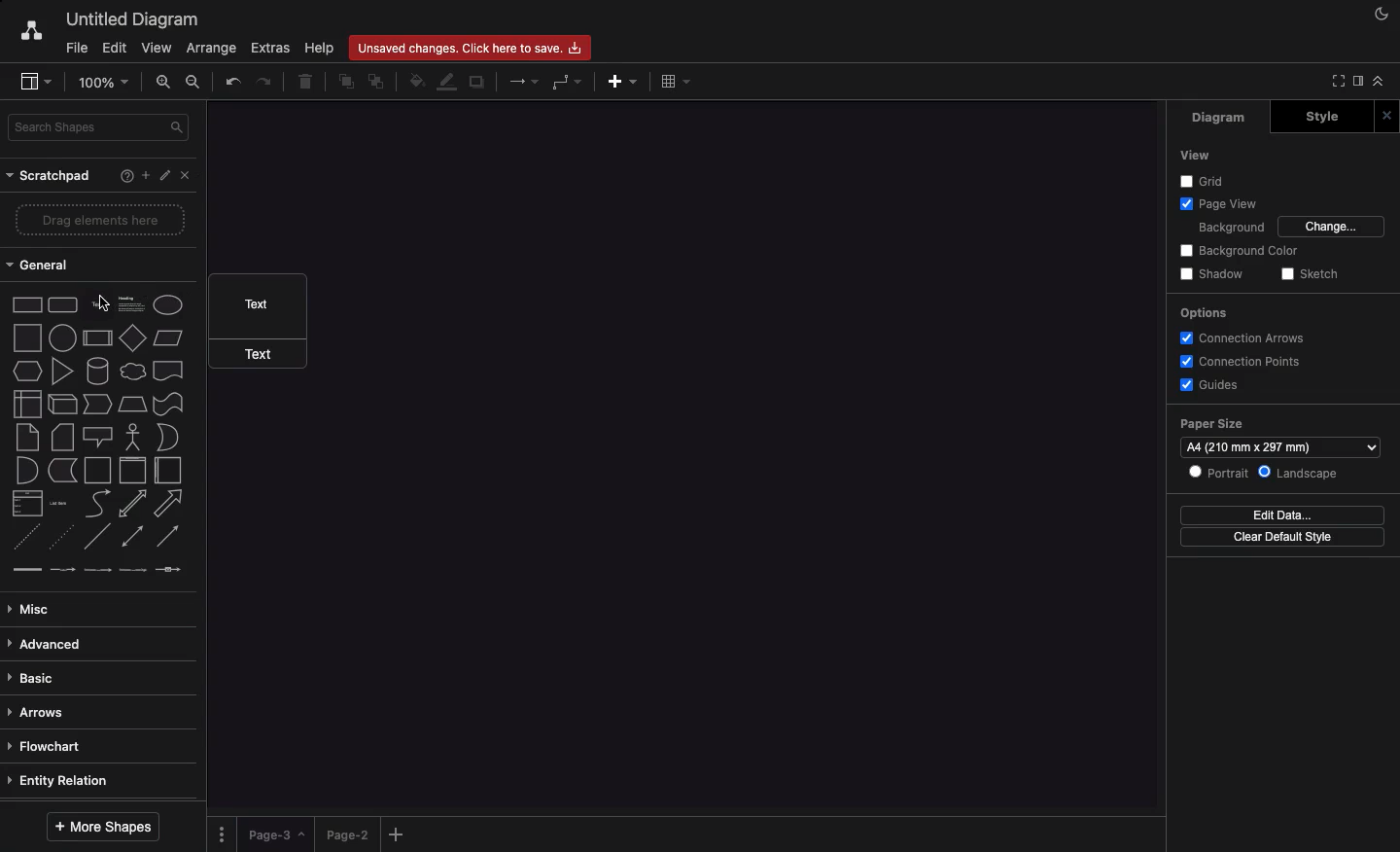 Image resolution: width=1400 pixels, height=852 pixels. Describe the element at coordinates (97, 338) in the screenshot. I see `process` at that location.